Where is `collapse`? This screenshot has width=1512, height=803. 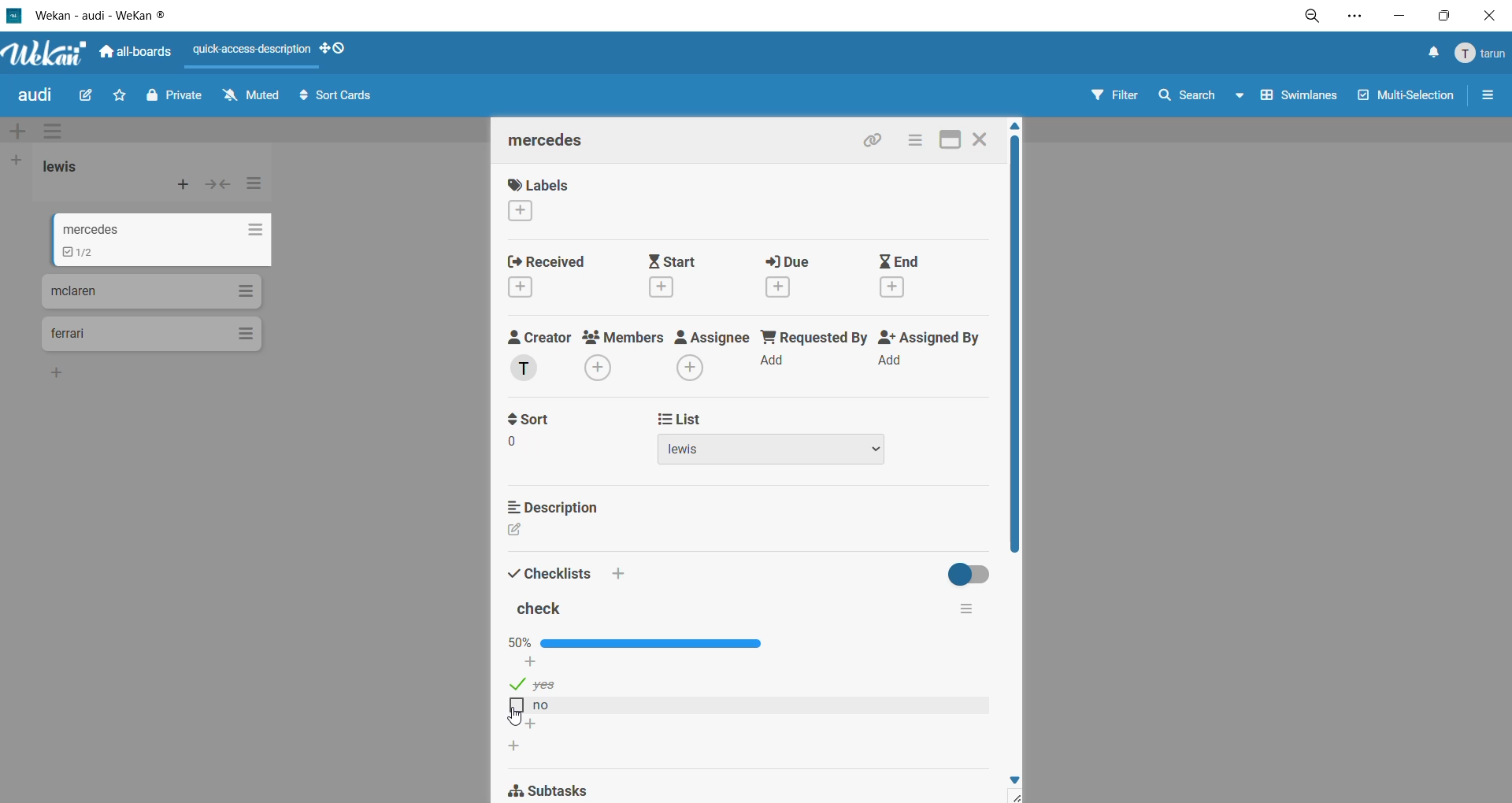 collapse is located at coordinates (217, 187).